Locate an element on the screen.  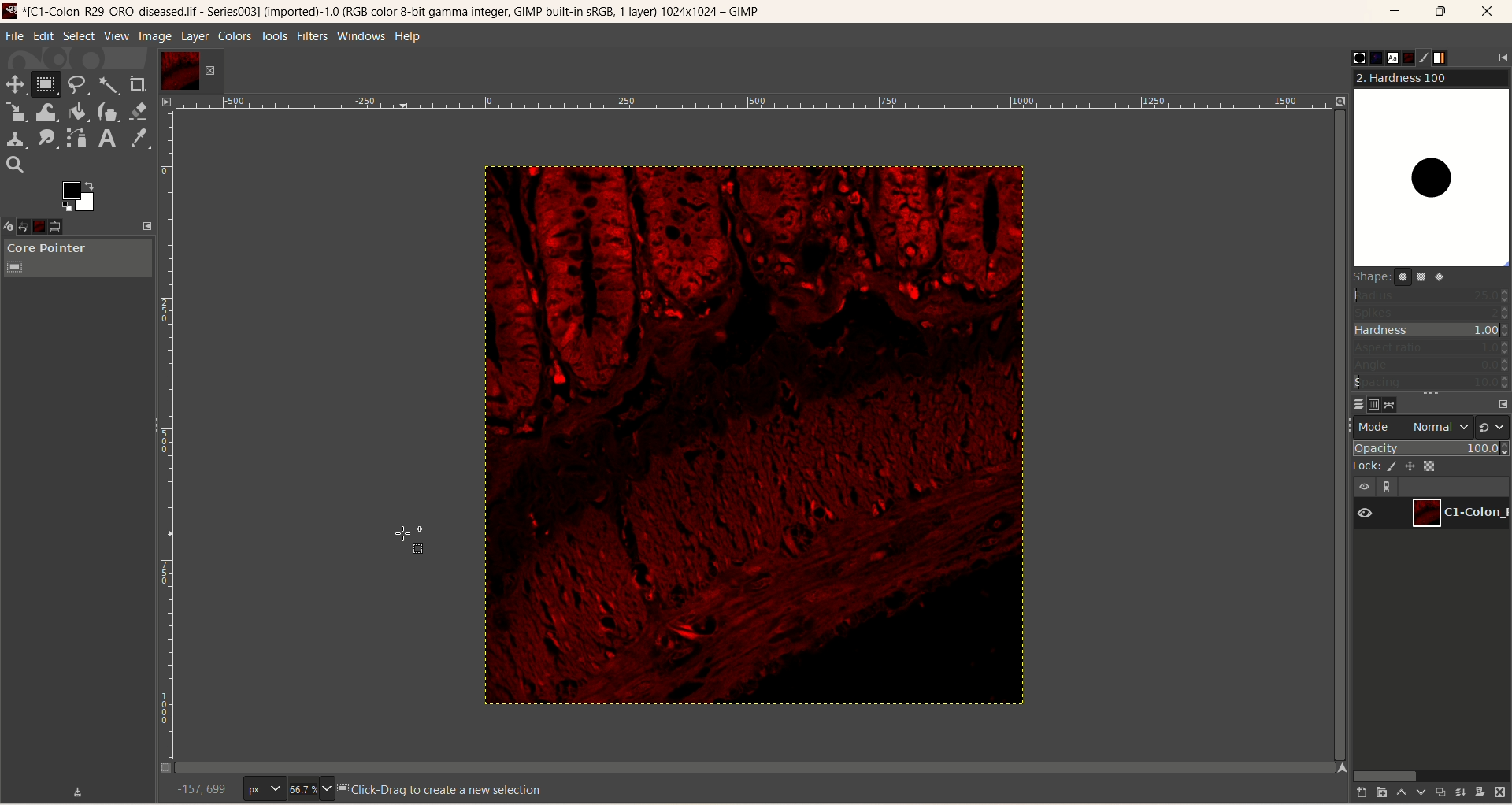
logo is located at coordinates (12, 10).